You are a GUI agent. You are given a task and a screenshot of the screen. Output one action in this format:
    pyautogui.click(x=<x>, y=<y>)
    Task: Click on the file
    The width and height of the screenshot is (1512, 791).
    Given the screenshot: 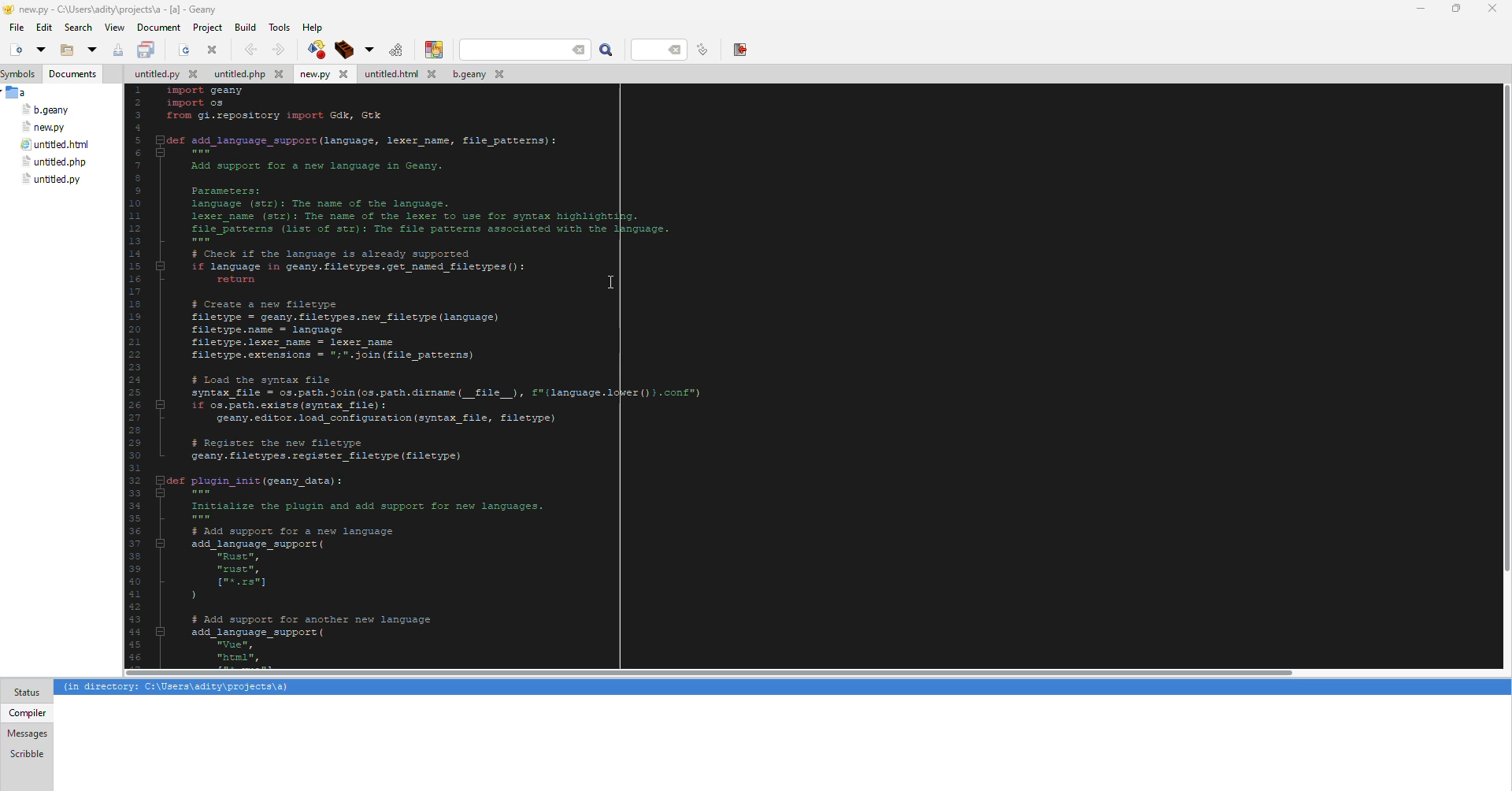 What is the action you would take?
    pyautogui.click(x=43, y=110)
    